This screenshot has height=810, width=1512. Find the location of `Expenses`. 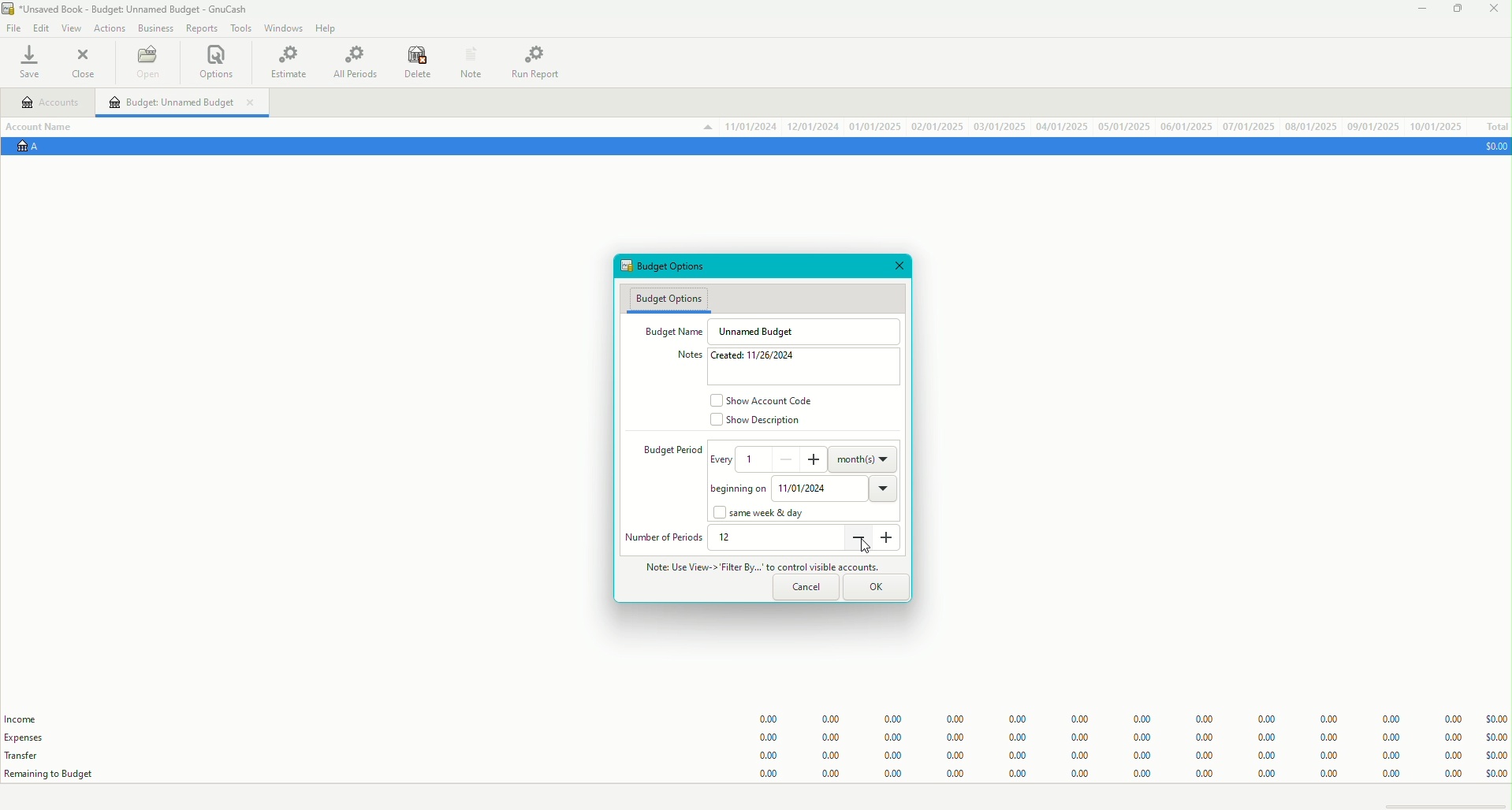

Expenses is located at coordinates (31, 738).